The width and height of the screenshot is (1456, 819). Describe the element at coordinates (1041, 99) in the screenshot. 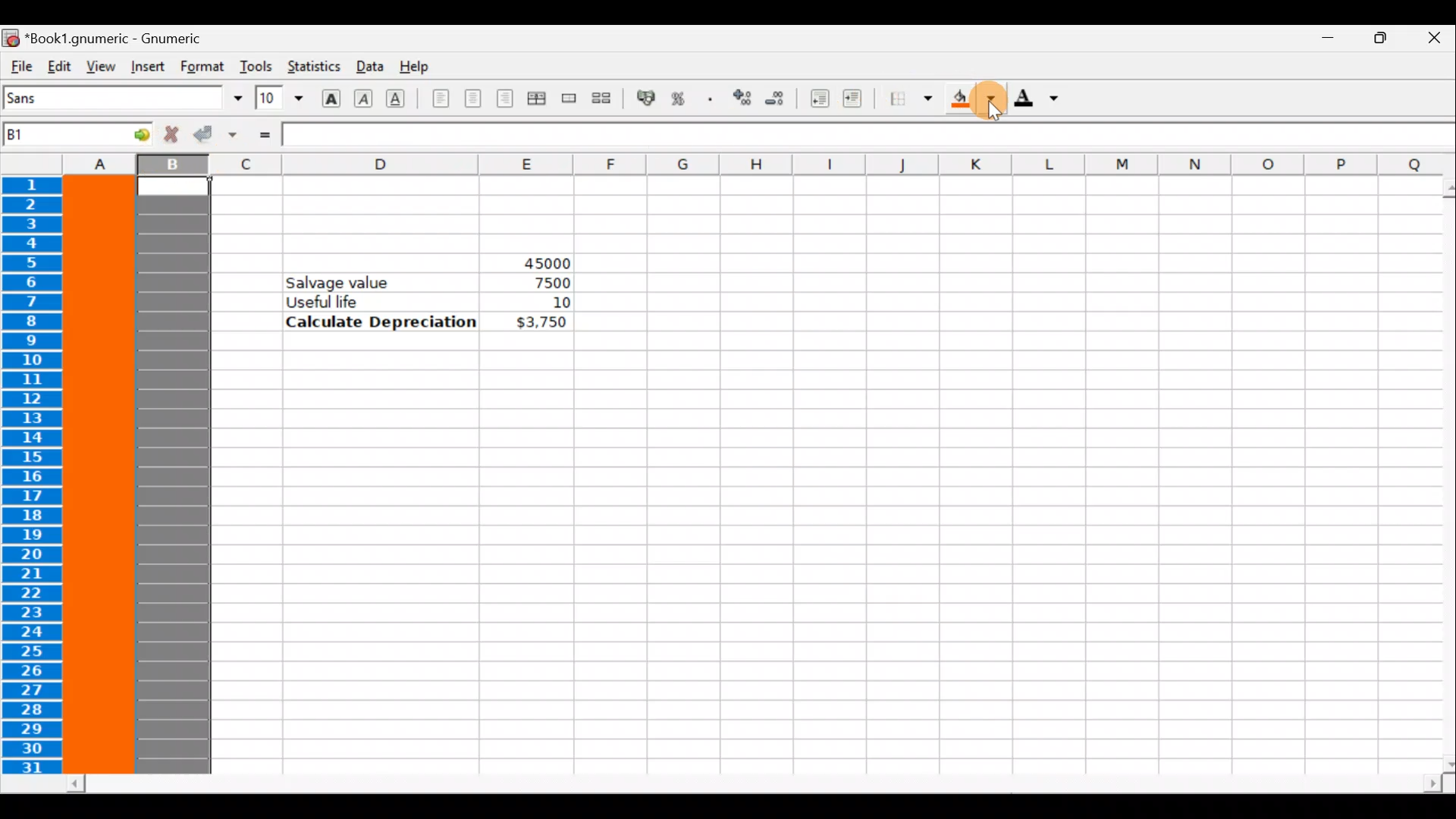

I see `Foreground` at that location.